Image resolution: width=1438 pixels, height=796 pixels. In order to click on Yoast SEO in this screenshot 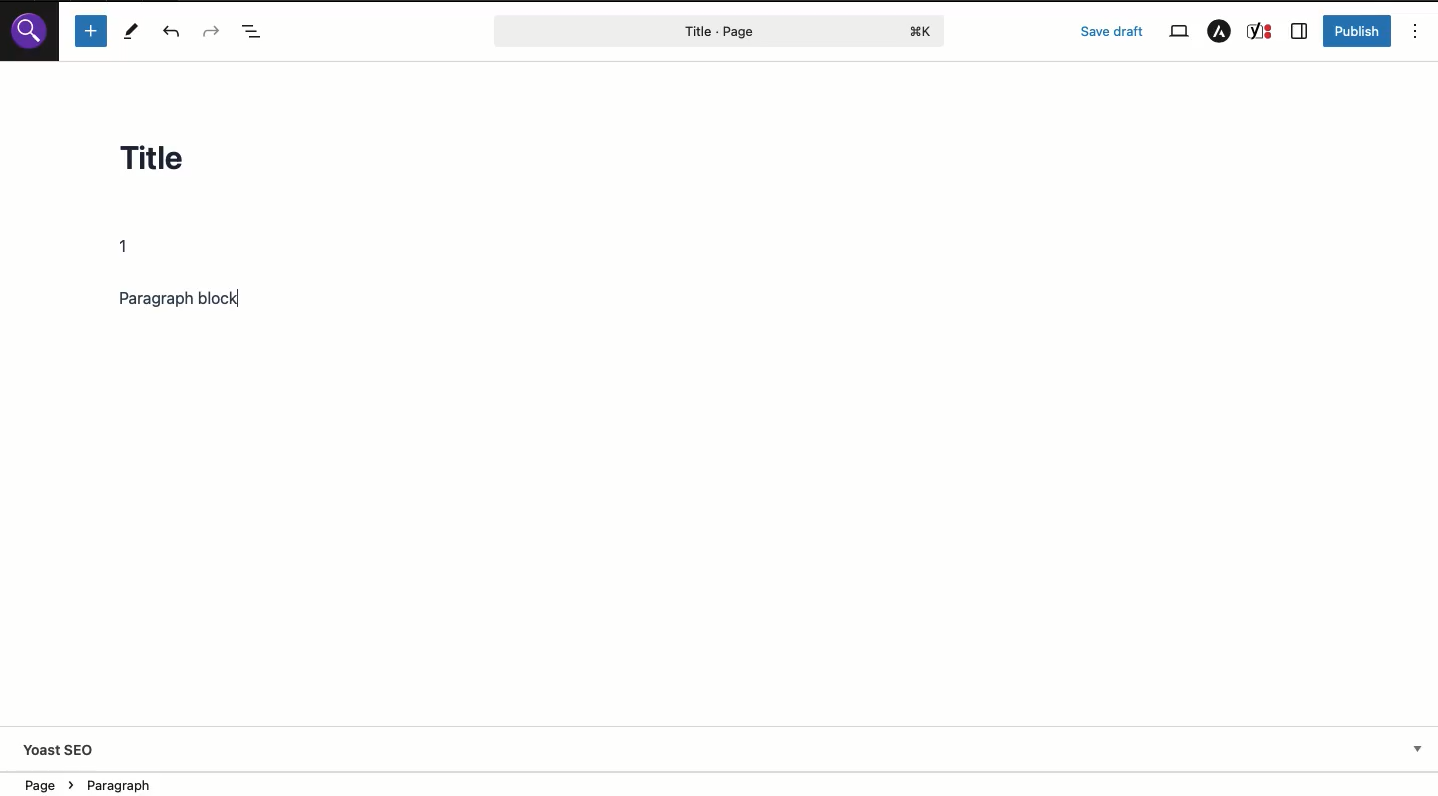, I will do `click(61, 752)`.